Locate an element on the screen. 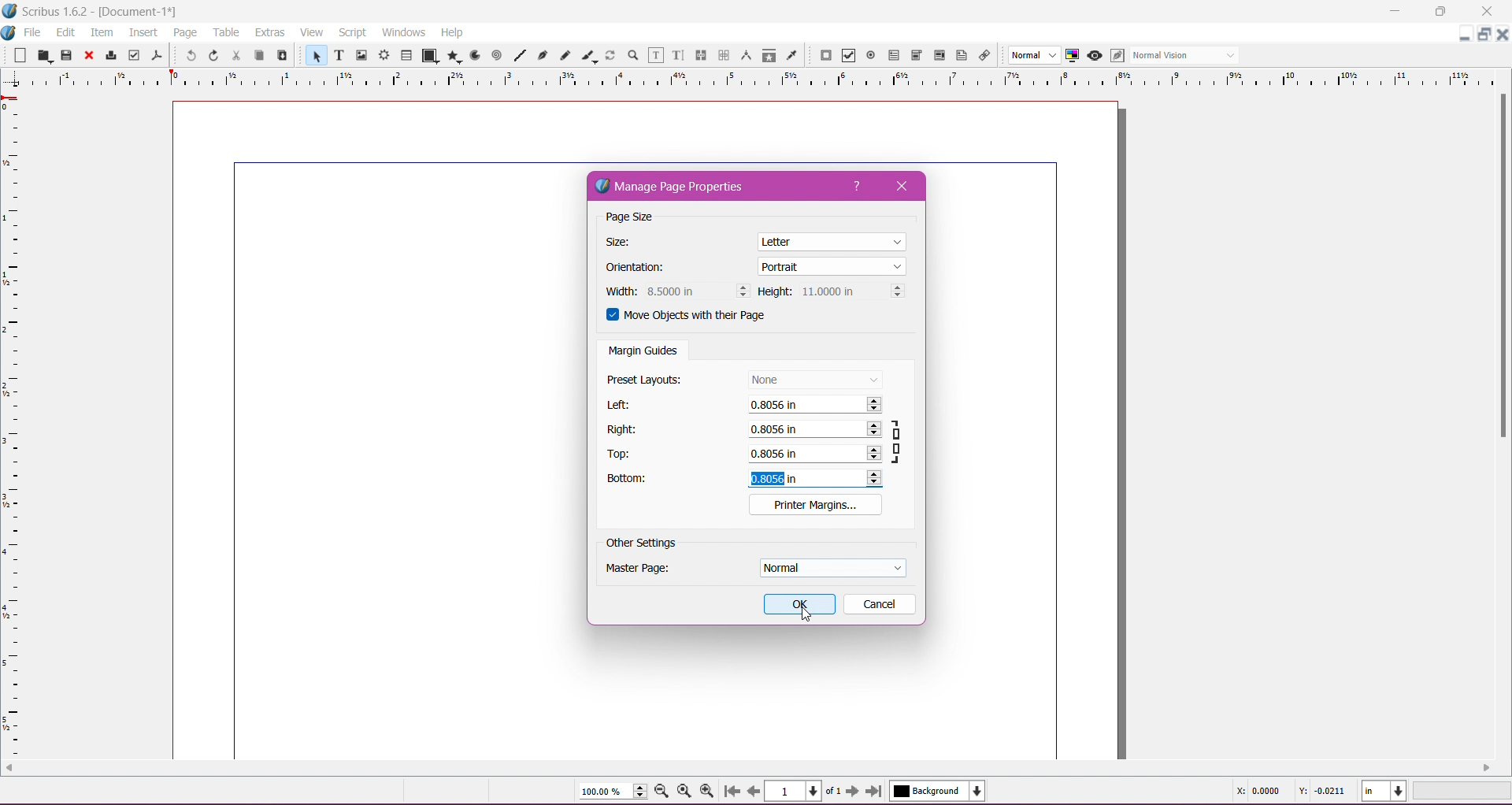 This screenshot has width=1512, height=805. Top is located at coordinates (624, 454).